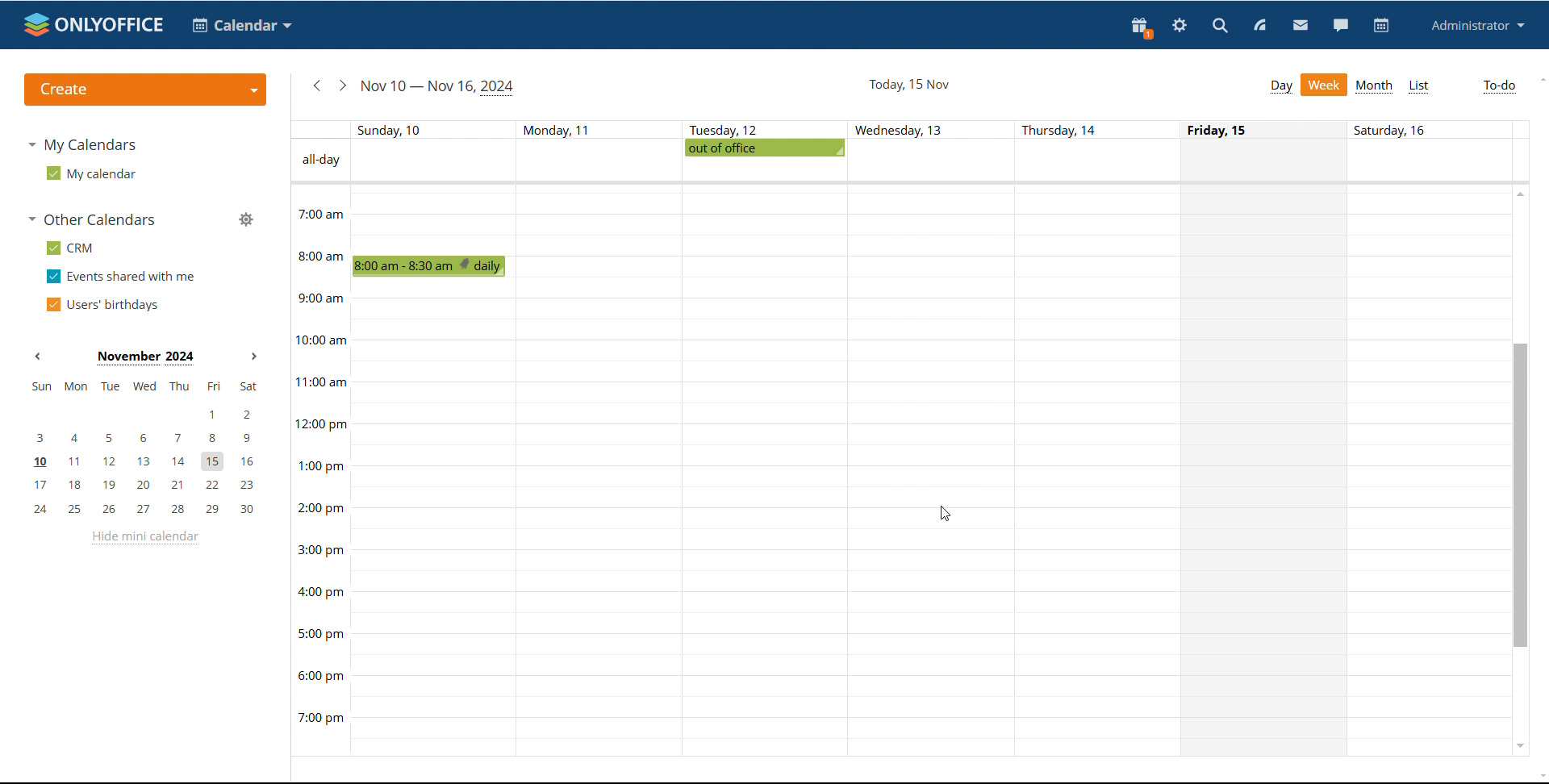 Image resolution: width=1549 pixels, height=784 pixels. Describe the element at coordinates (144, 387) in the screenshot. I see `mon, tue, wed, thu, fri, sat, sun` at that location.